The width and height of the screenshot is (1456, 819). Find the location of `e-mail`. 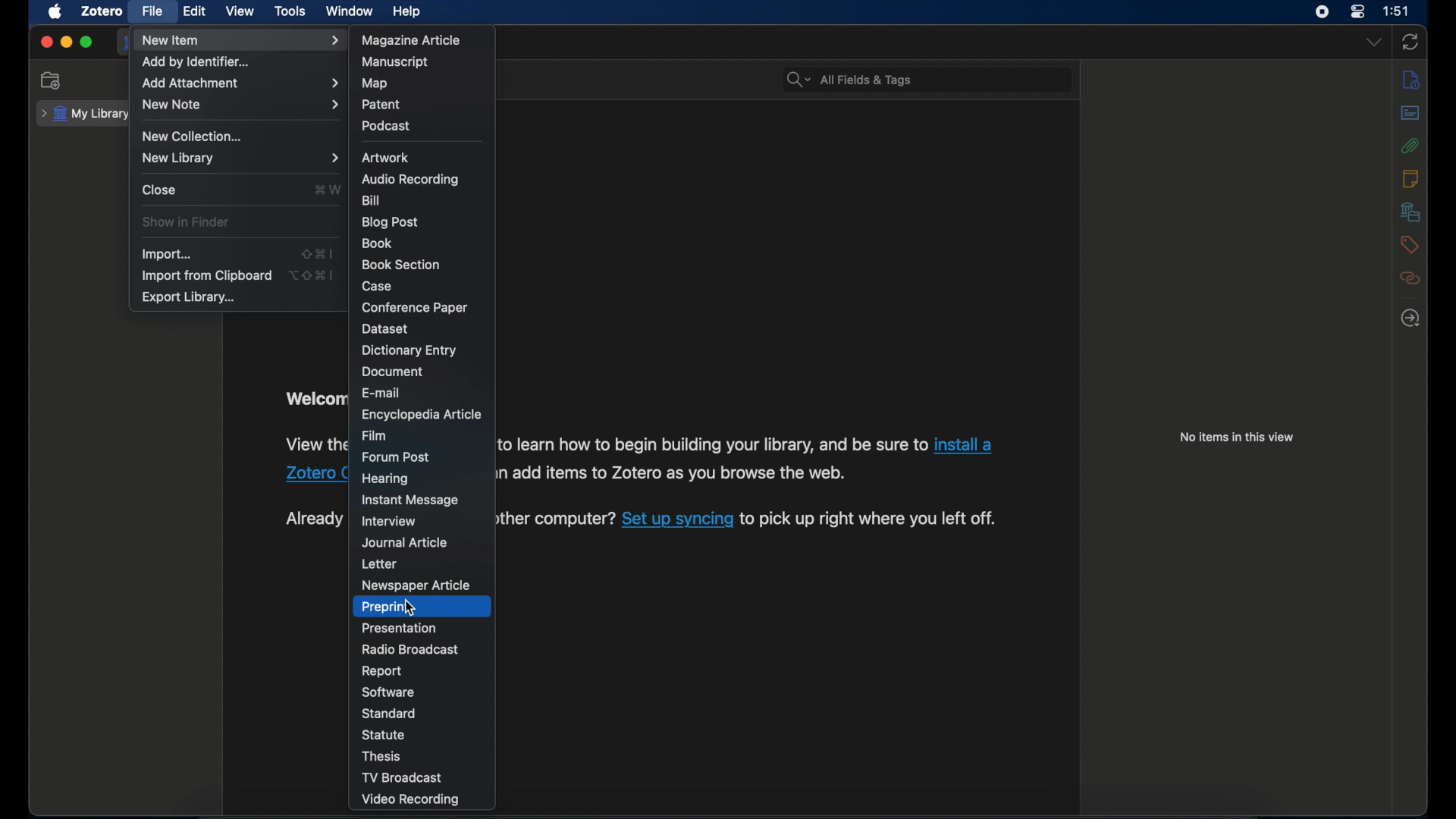

e-mail is located at coordinates (383, 394).